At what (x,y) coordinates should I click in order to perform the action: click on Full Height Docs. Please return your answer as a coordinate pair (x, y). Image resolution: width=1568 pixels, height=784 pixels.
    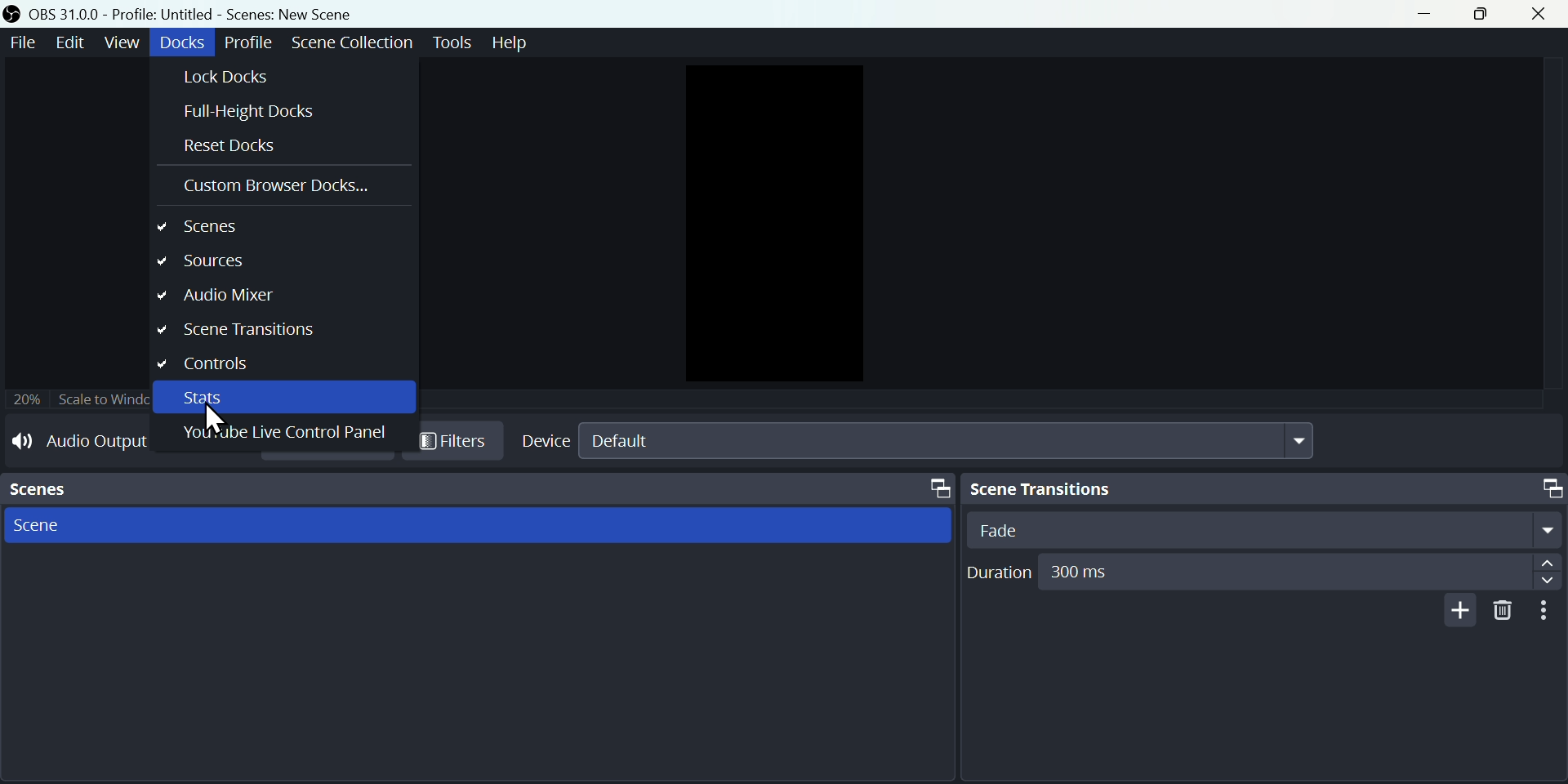
    Looking at the image, I should click on (256, 109).